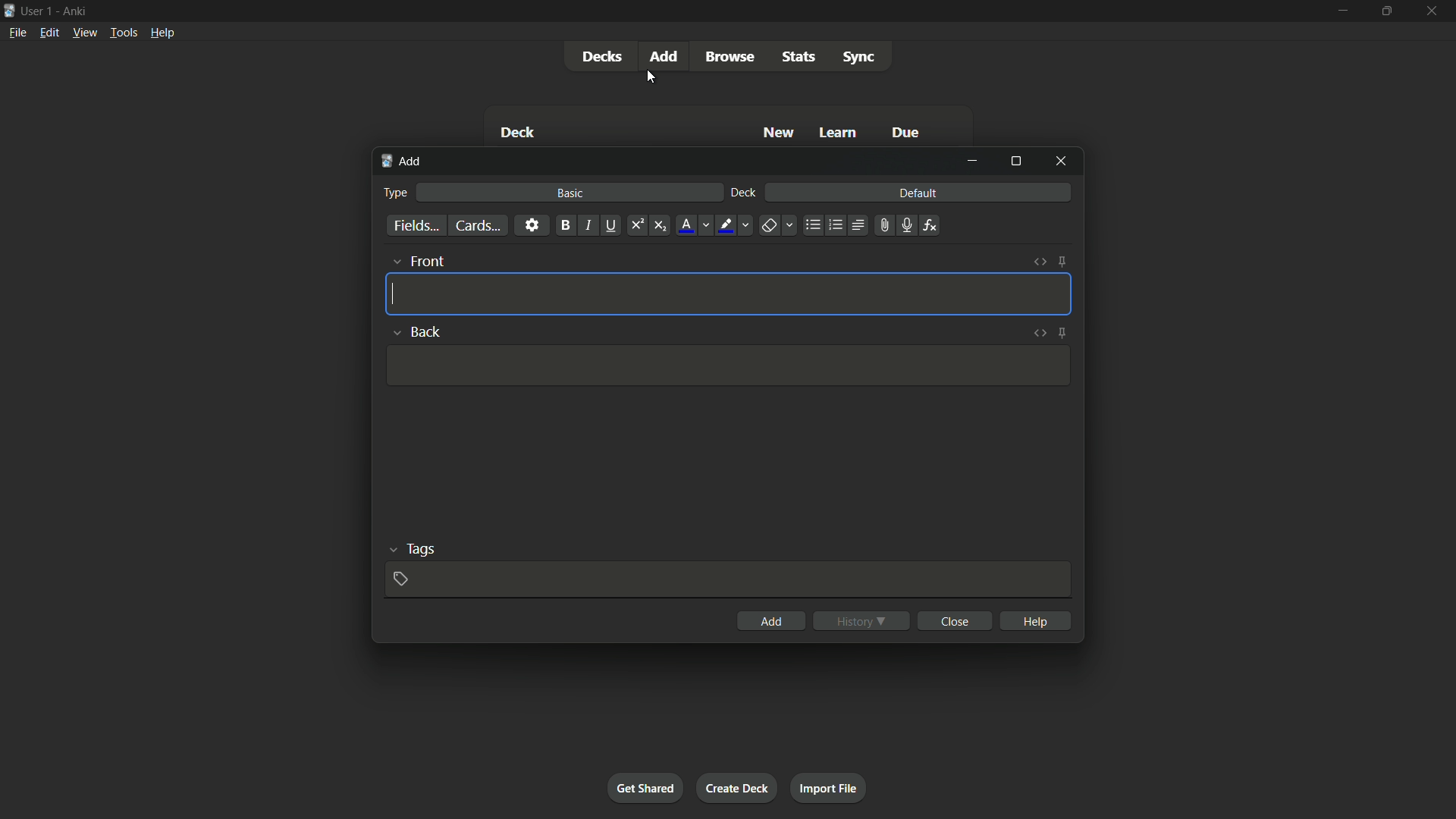 This screenshot has width=1456, height=819. Describe the element at coordinates (400, 579) in the screenshot. I see `add tag` at that location.